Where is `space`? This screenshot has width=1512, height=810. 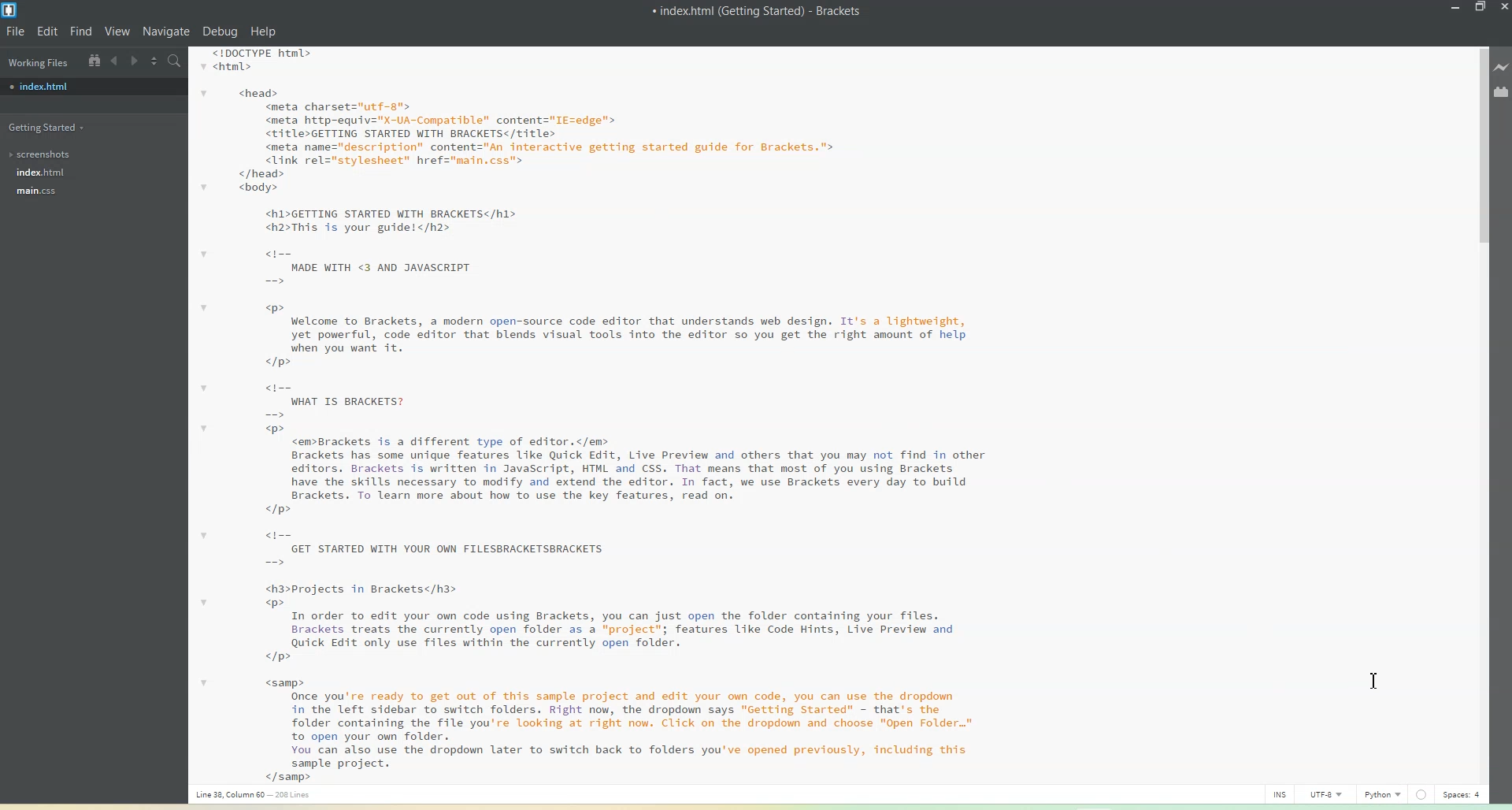 space is located at coordinates (1420, 794).